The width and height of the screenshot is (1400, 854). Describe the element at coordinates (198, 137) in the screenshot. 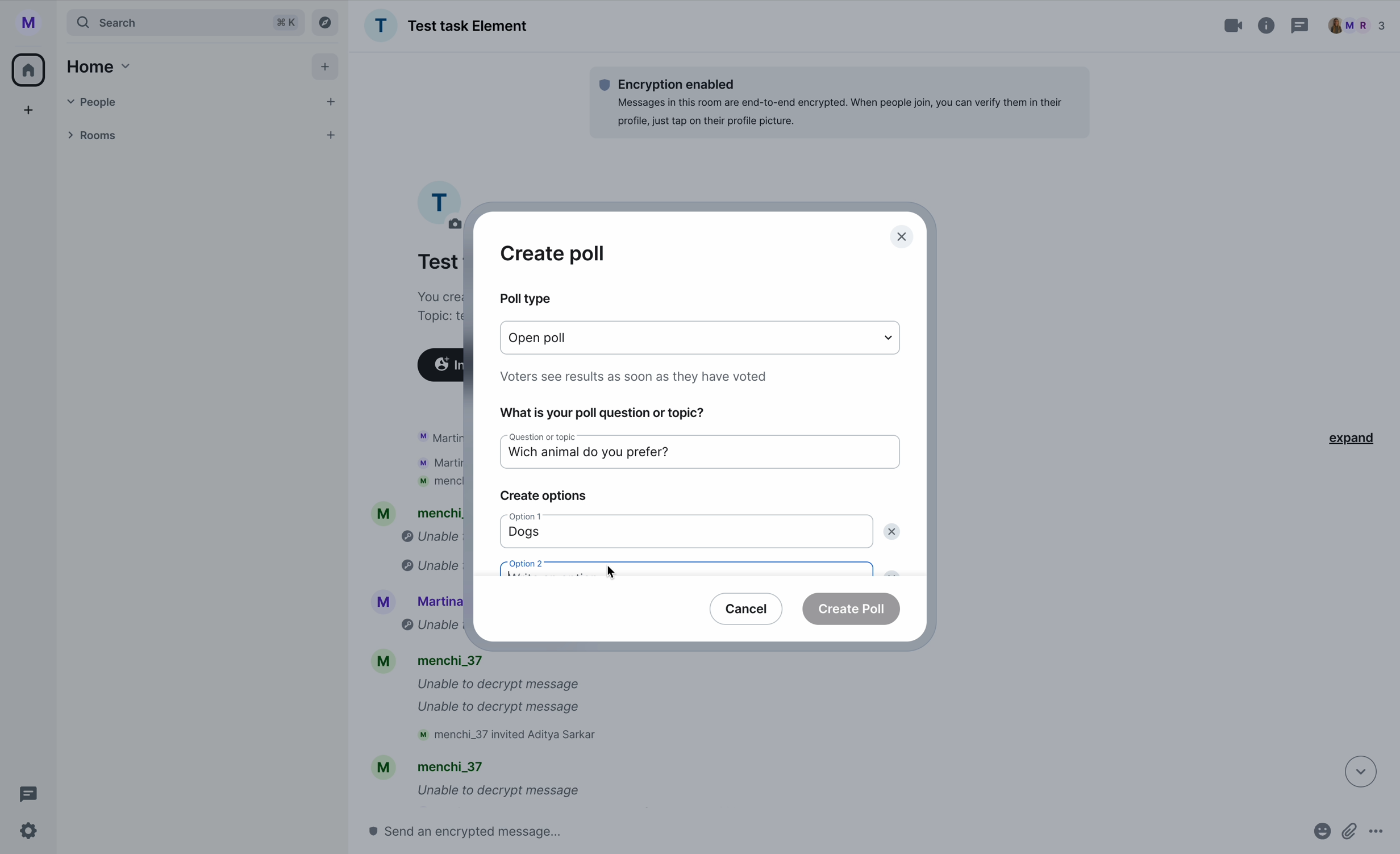

I see `rooms tab` at that location.